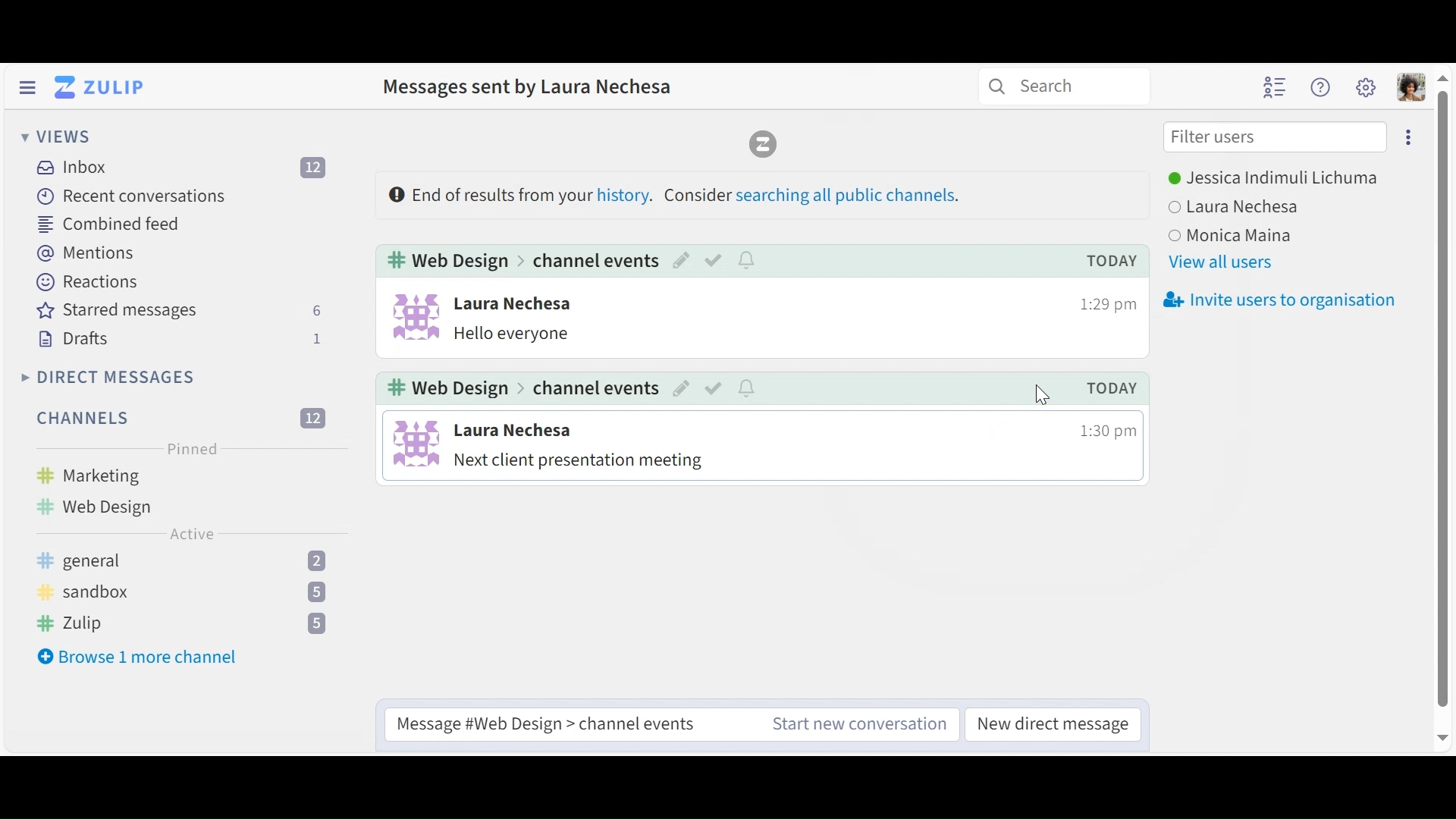 This screenshot has width=1456, height=819. What do you see at coordinates (1113, 263) in the screenshot?
I see `today` at bounding box center [1113, 263].